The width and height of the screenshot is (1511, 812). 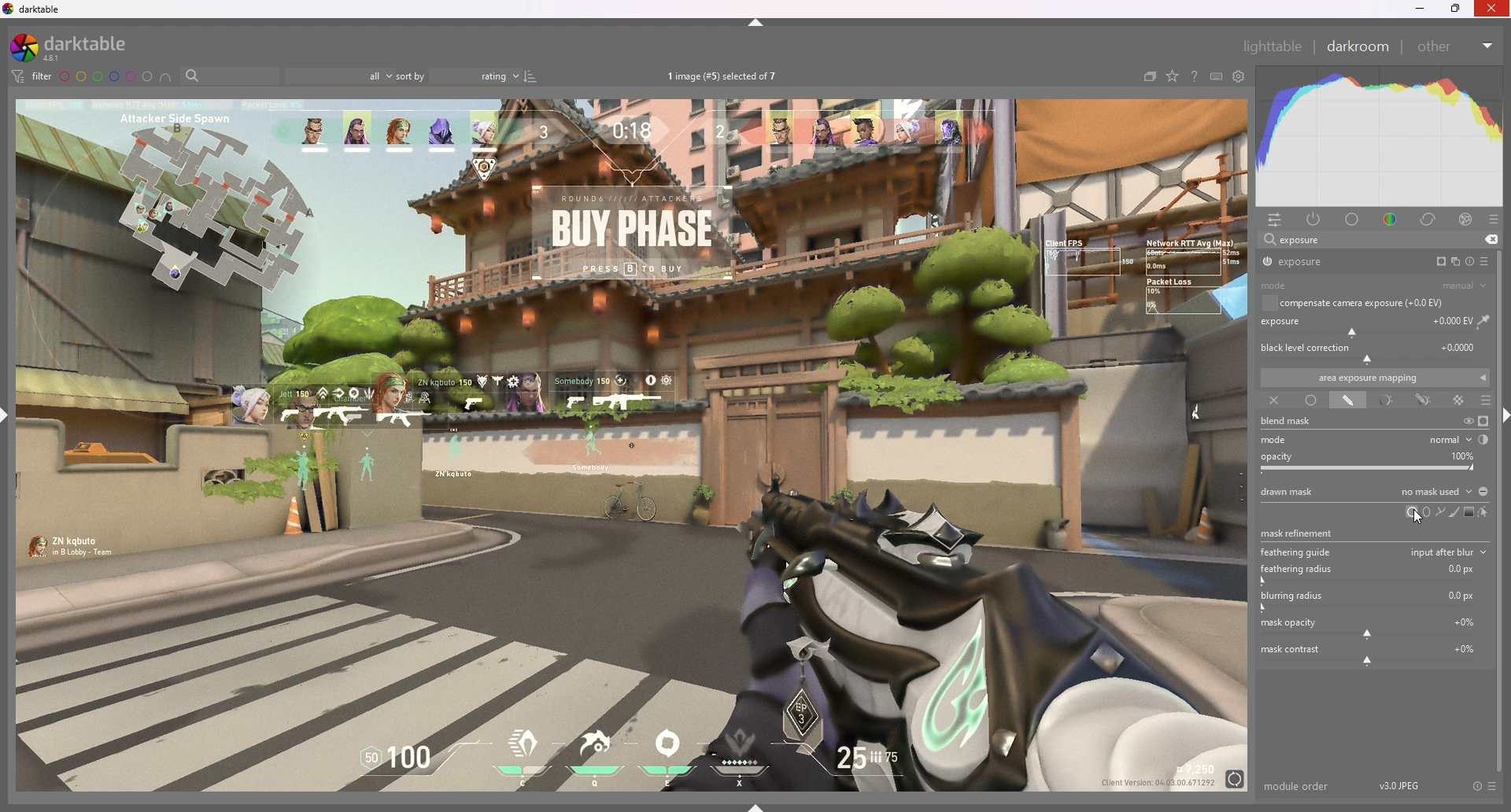 I want to click on lighttable, so click(x=1273, y=46).